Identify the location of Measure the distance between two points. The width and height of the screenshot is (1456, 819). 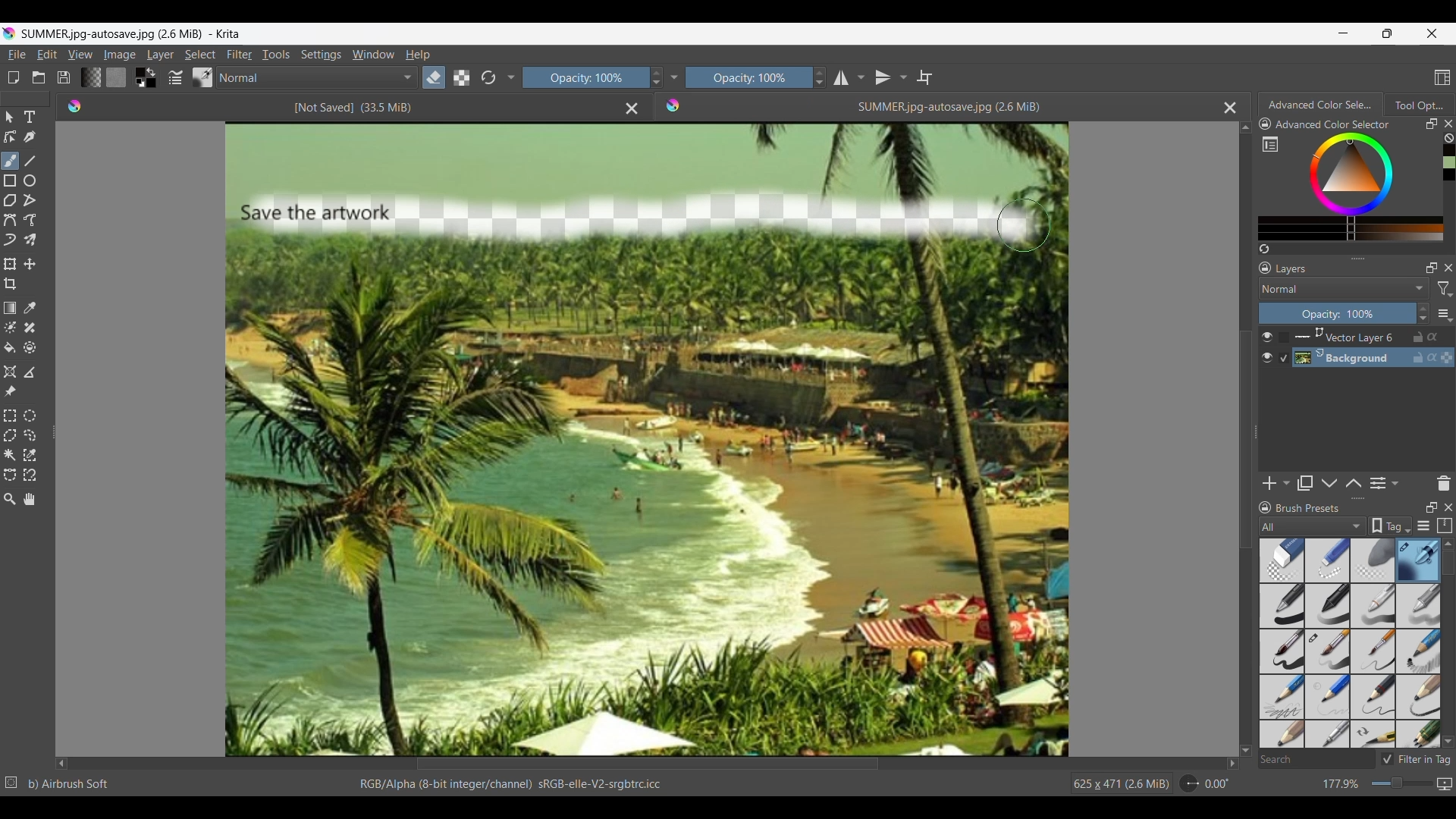
(30, 372).